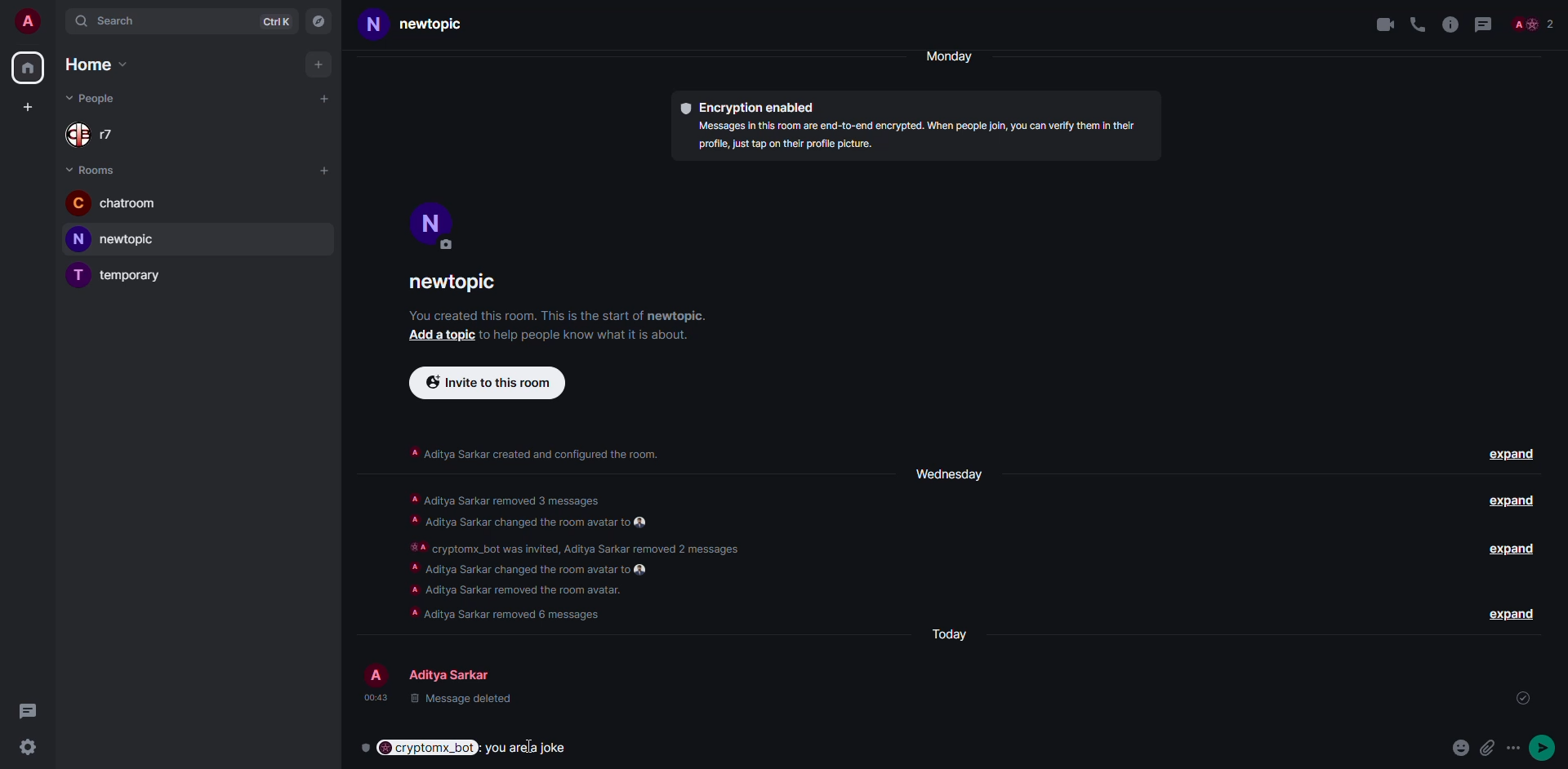 This screenshot has height=769, width=1568. What do you see at coordinates (1490, 748) in the screenshot?
I see `attach` at bounding box center [1490, 748].